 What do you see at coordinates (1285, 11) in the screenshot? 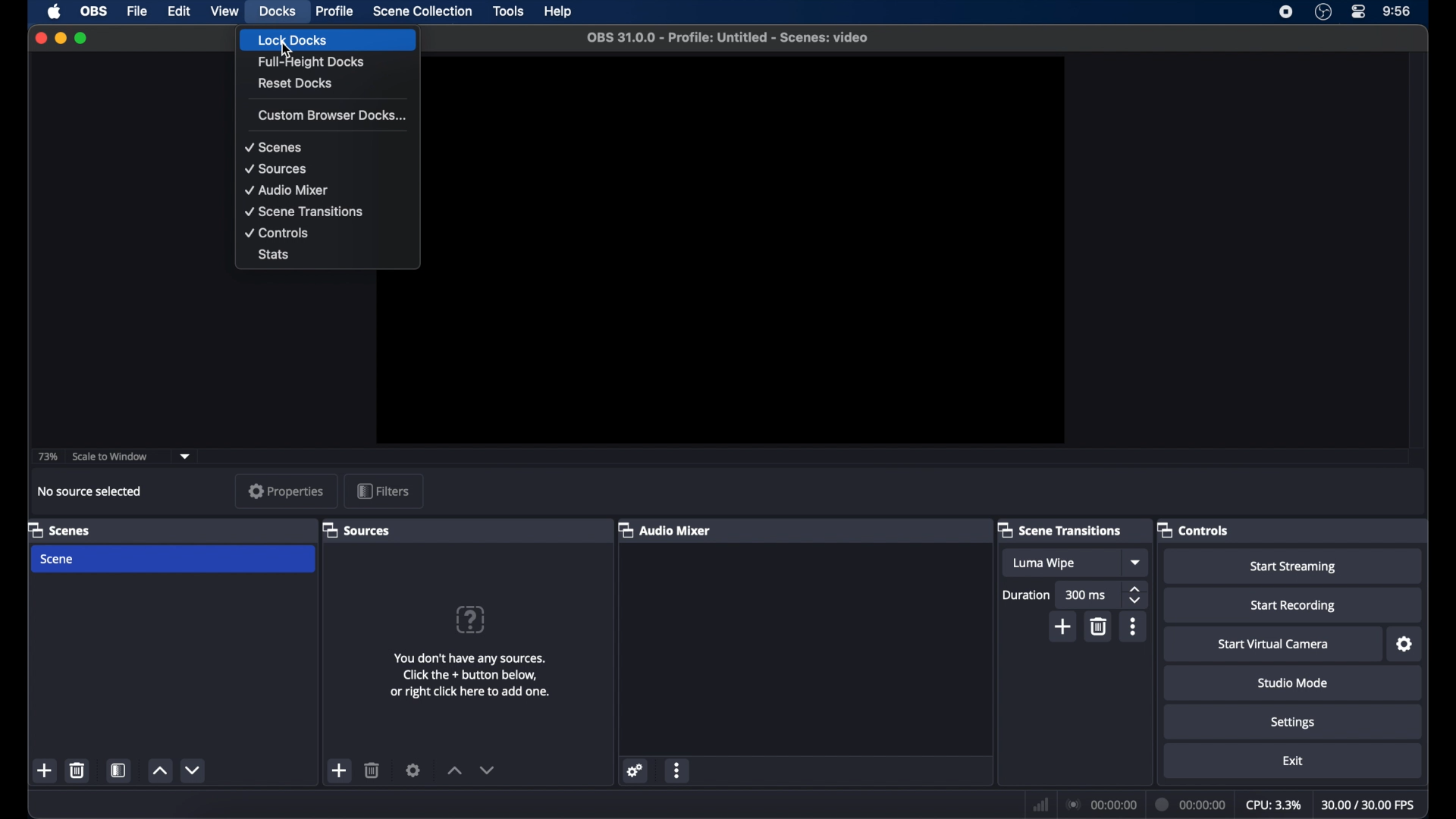
I see `screen recorder icon` at bounding box center [1285, 11].